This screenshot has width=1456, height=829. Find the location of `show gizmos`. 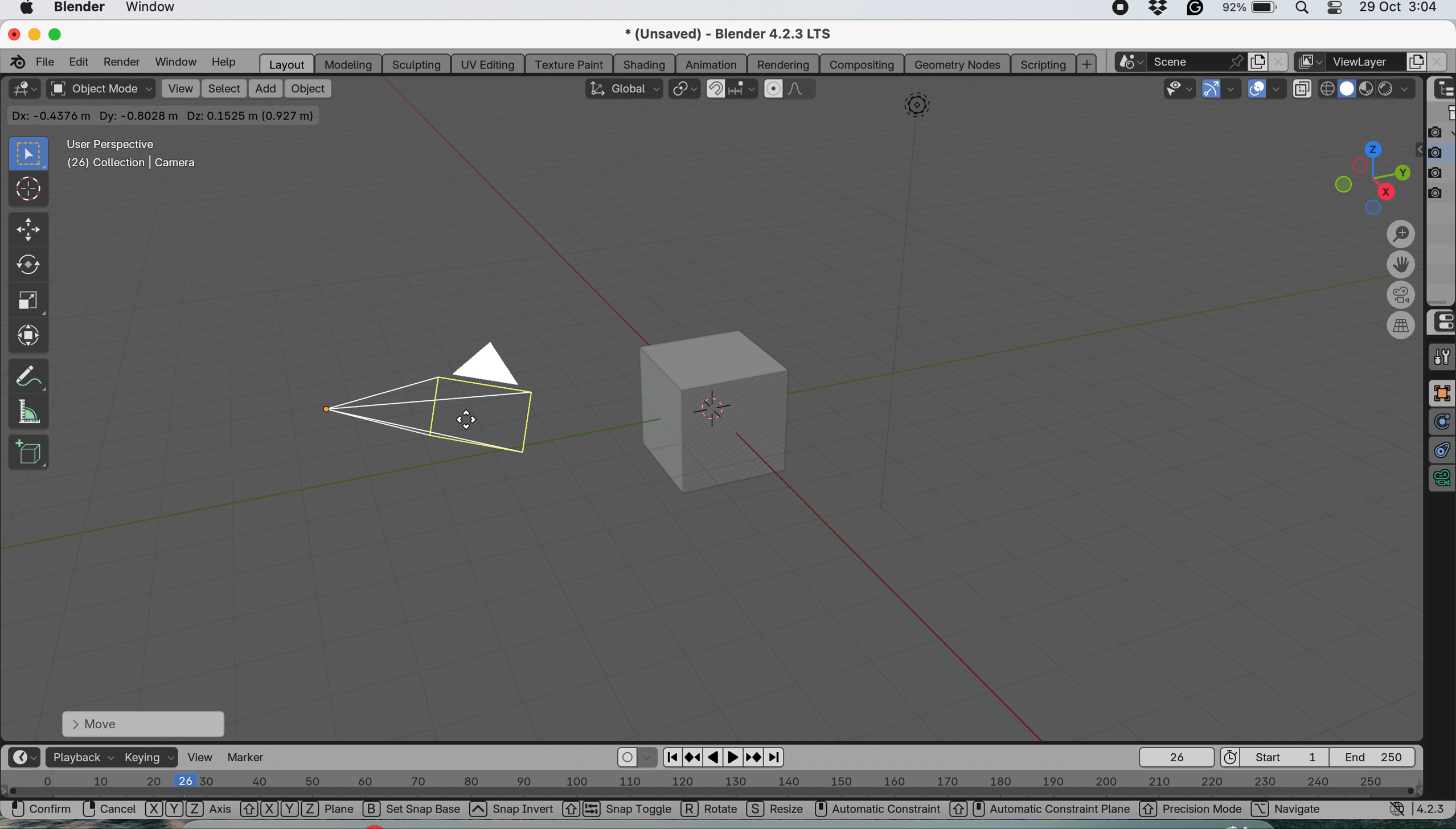

show gizmos is located at coordinates (1212, 89).